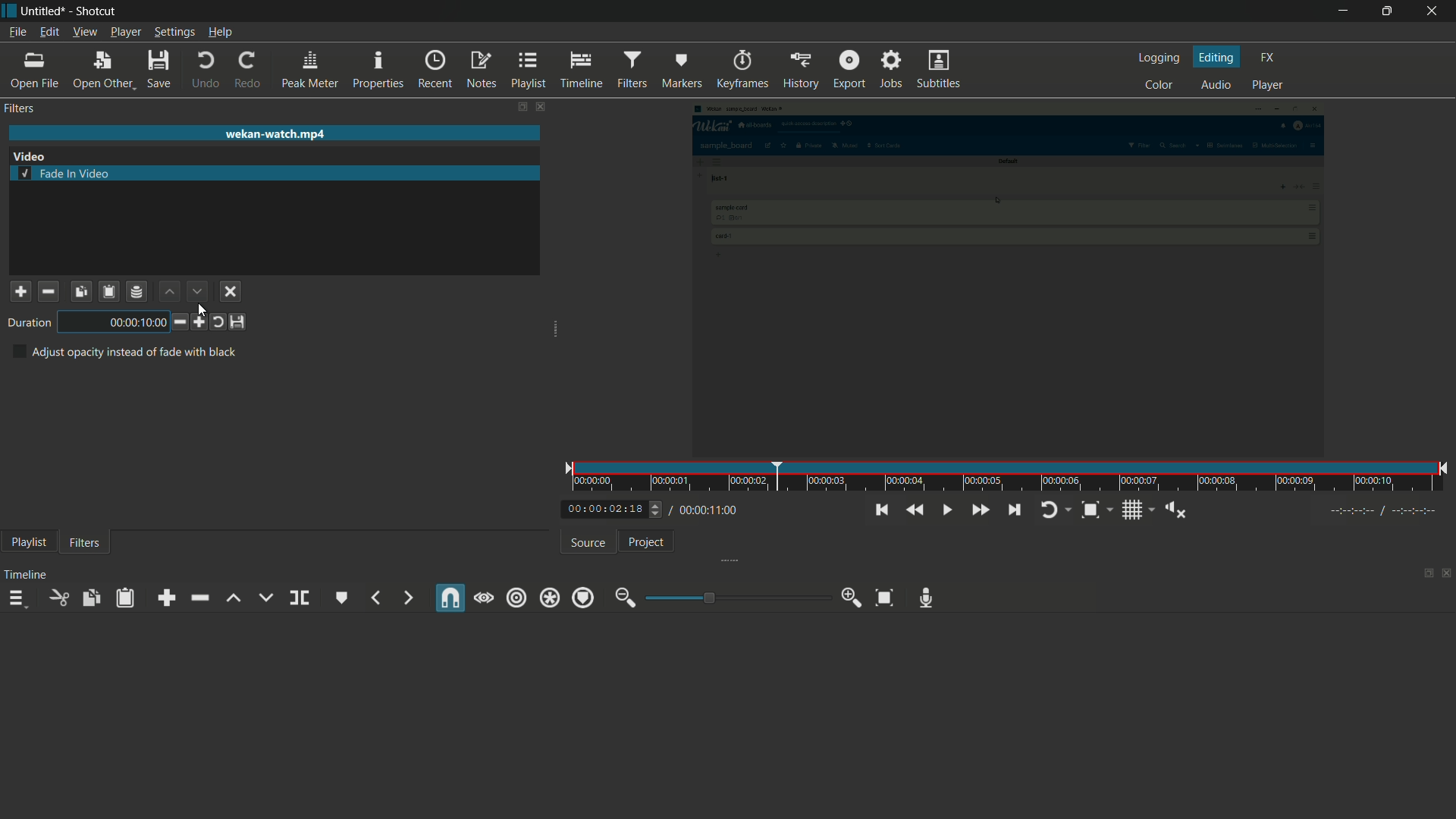 The width and height of the screenshot is (1456, 819). Describe the element at coordinates (231, 292) in the screenshot. I see `deselect the filter` at that location.